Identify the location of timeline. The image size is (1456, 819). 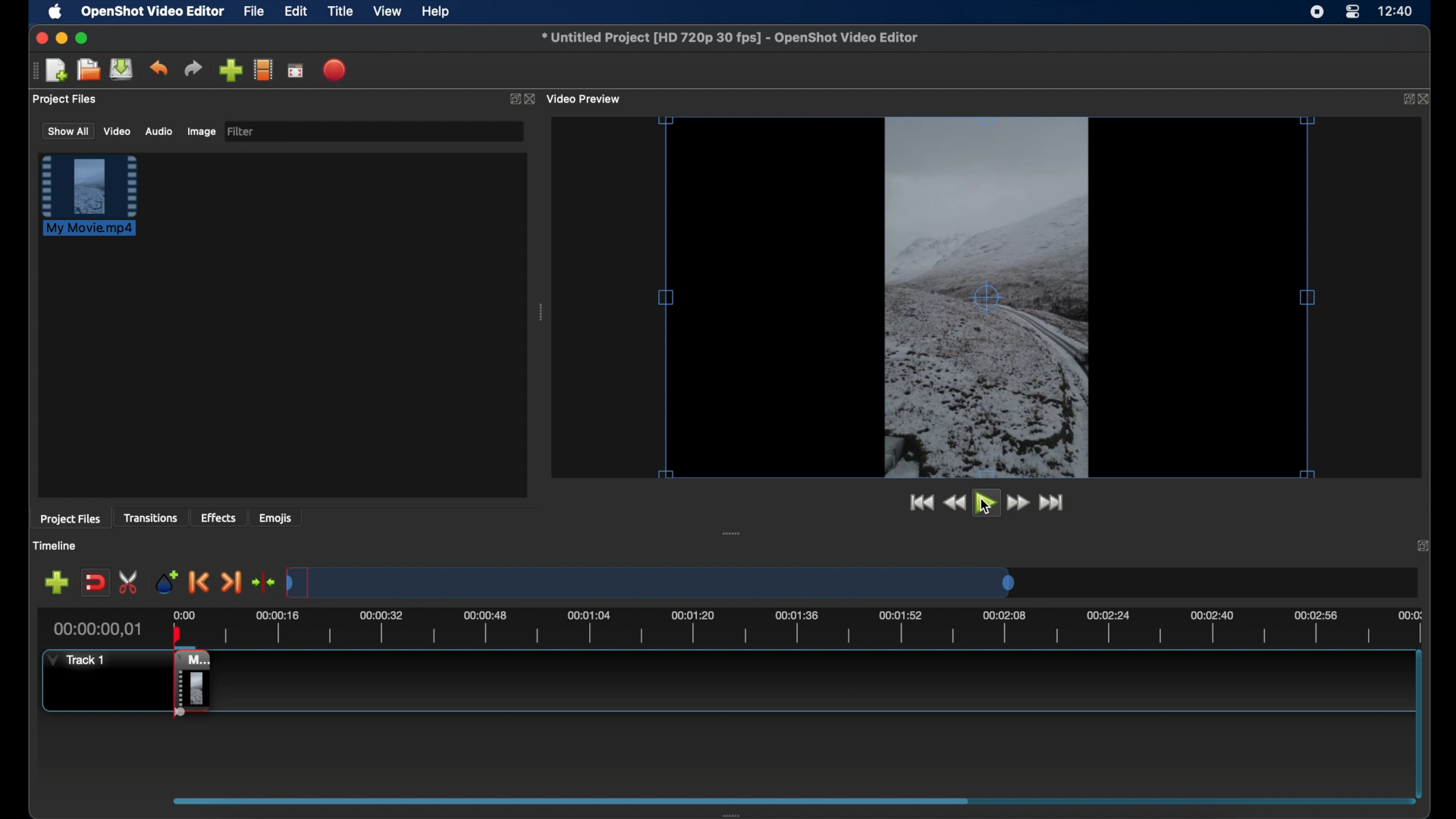
(57, 547).